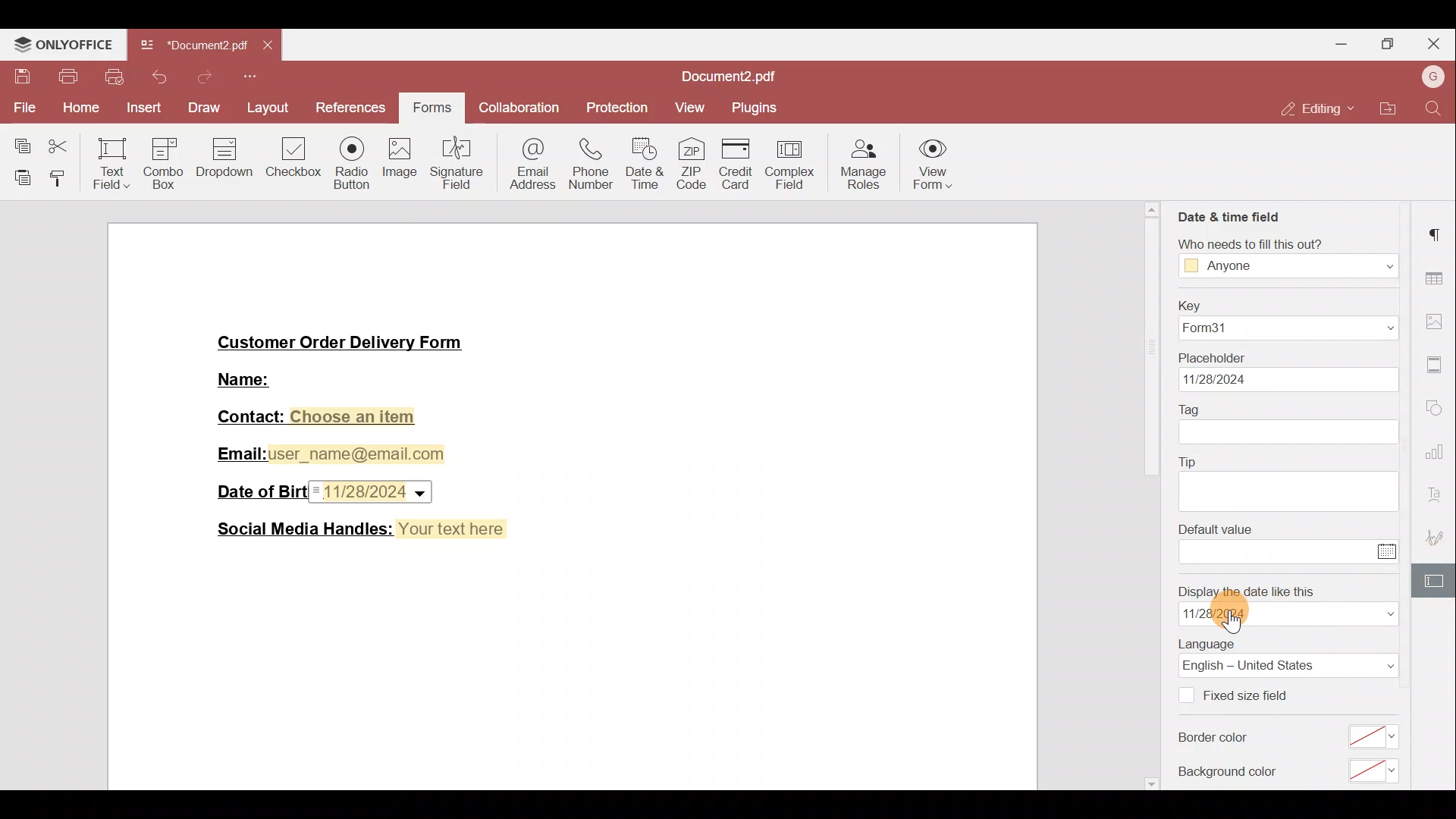 This screenshot has width=1456, height=819. Describe the element at coordinates (351, 159) in the screenshot. I see `Radio button` at that location.